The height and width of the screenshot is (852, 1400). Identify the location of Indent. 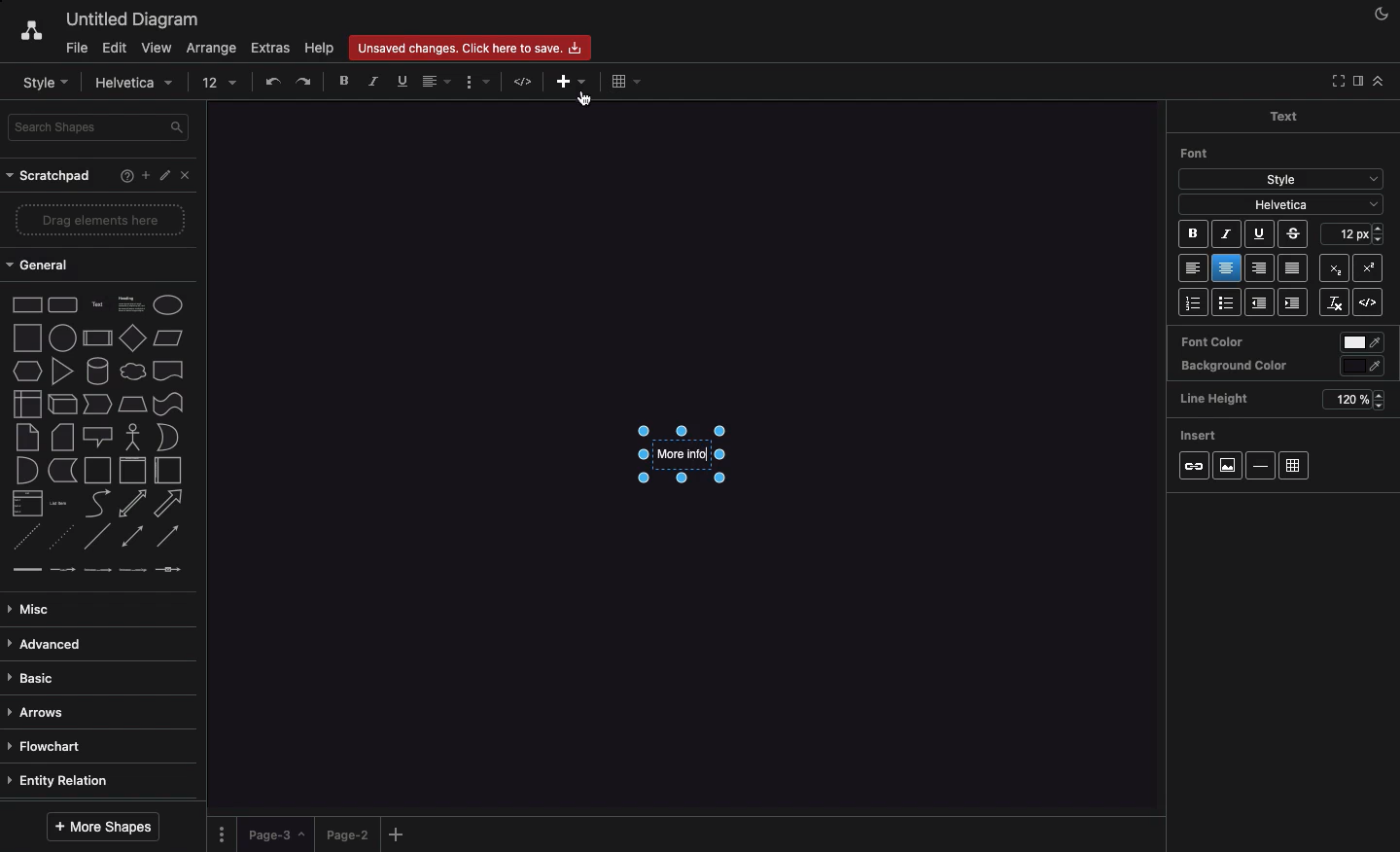
(1295, 303).